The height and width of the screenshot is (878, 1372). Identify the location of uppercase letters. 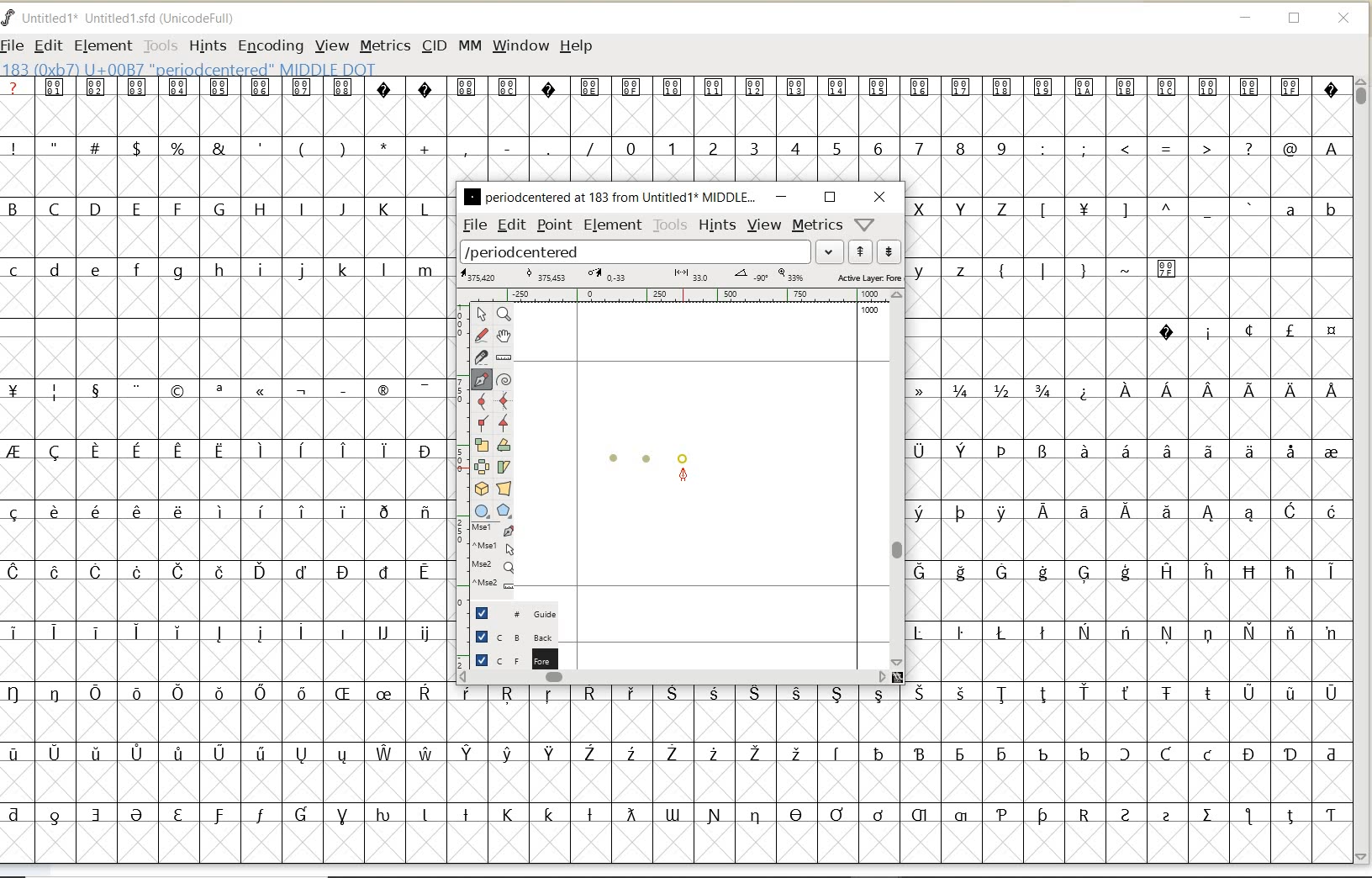
(964, 208).